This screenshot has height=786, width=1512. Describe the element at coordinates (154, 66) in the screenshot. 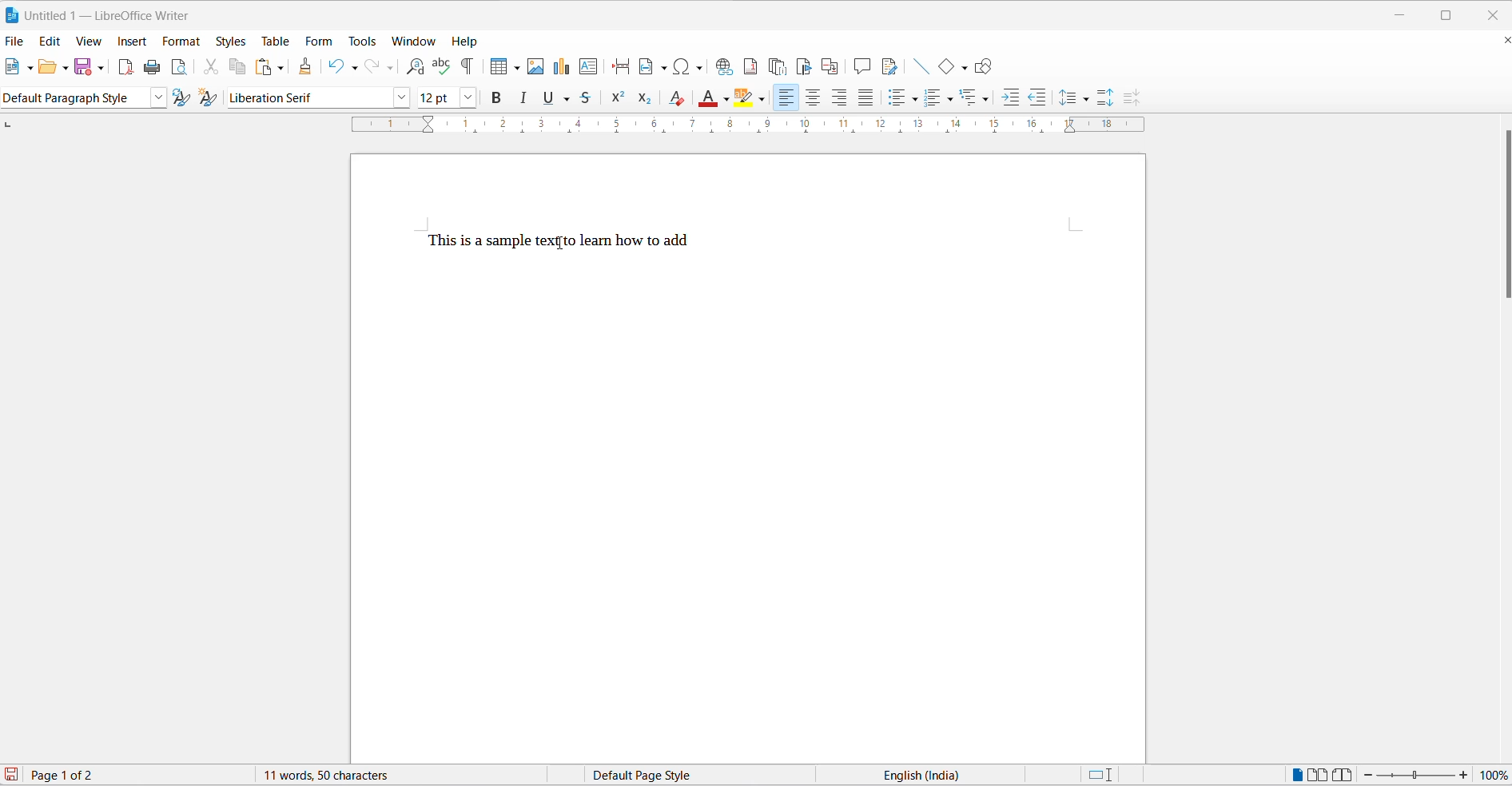

I see `print` at that location.